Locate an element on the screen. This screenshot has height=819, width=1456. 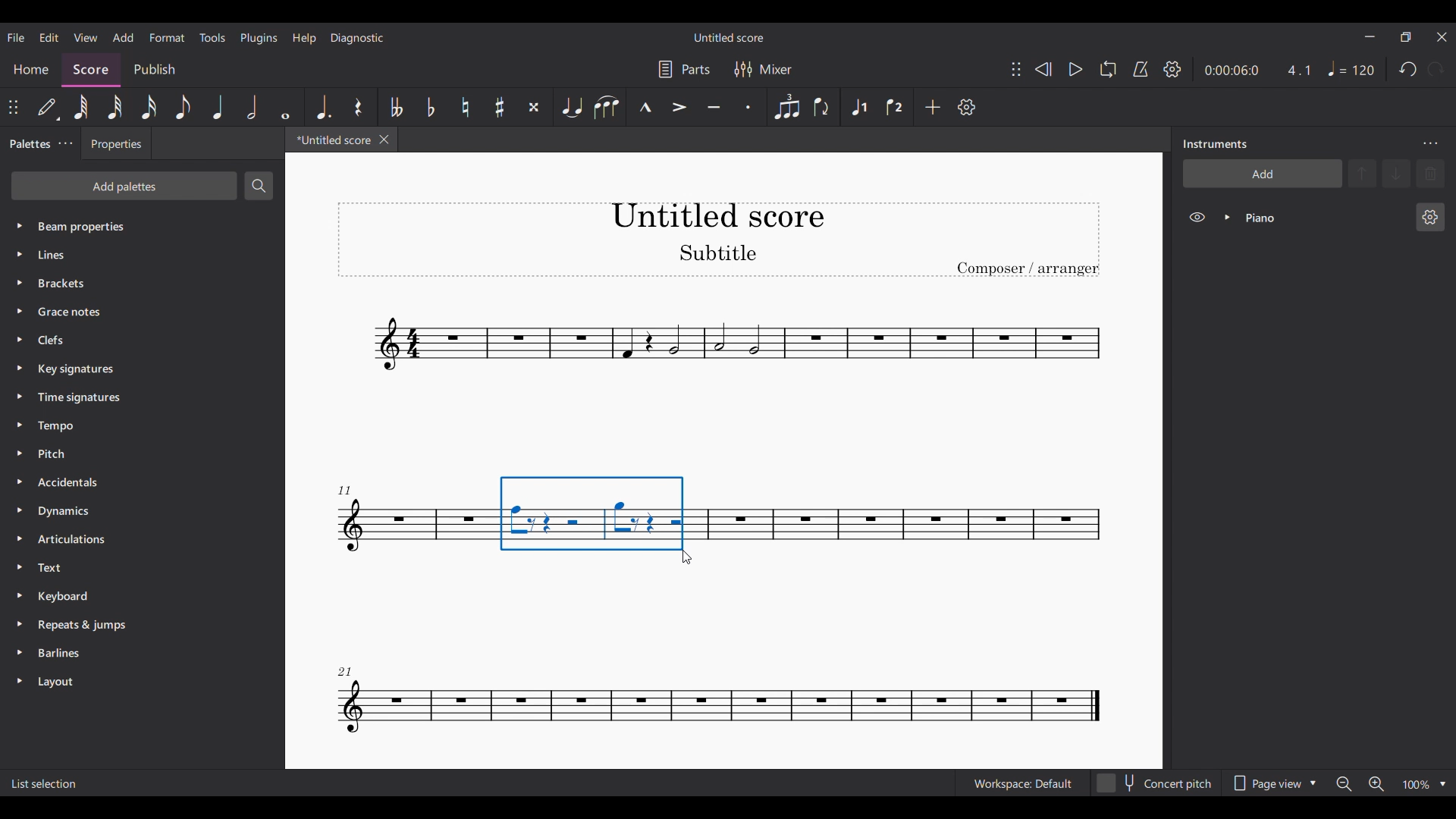
Metronome is located at coordinates (1141, 69).